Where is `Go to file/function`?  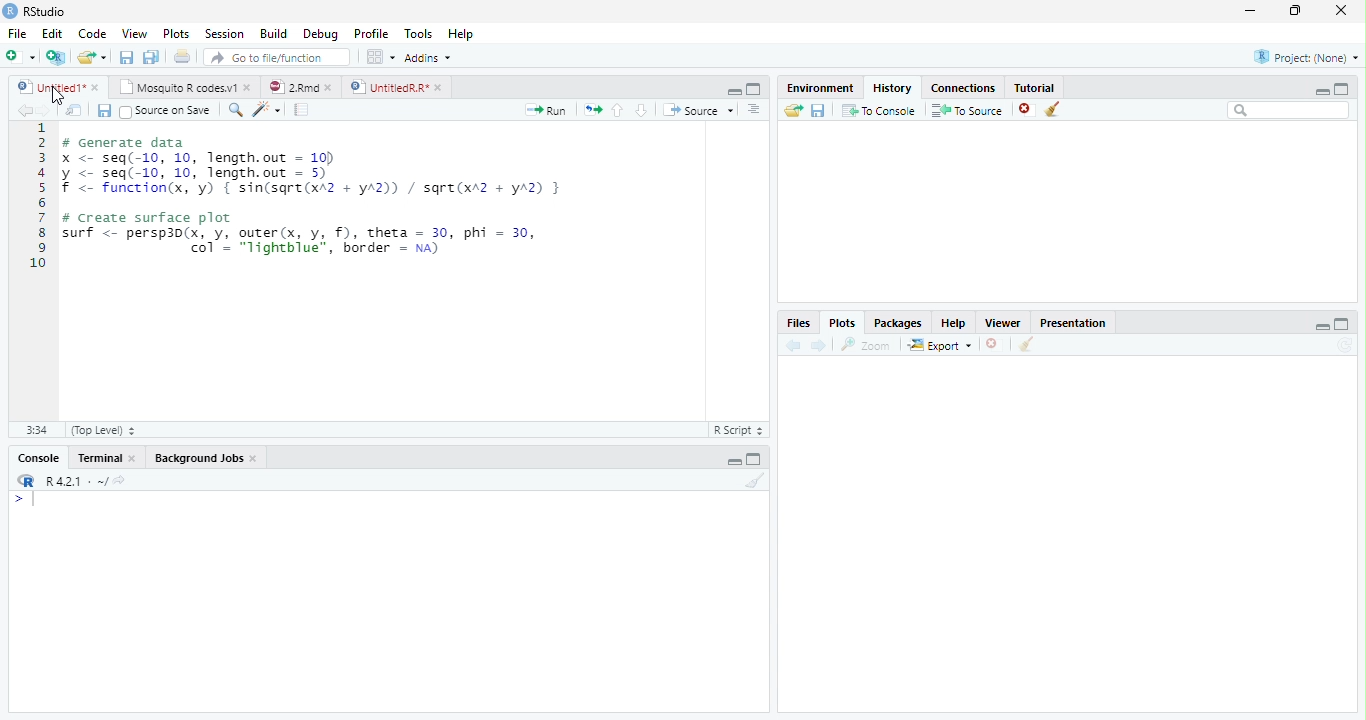
Go to file/function is located at coordinates (277, 56).